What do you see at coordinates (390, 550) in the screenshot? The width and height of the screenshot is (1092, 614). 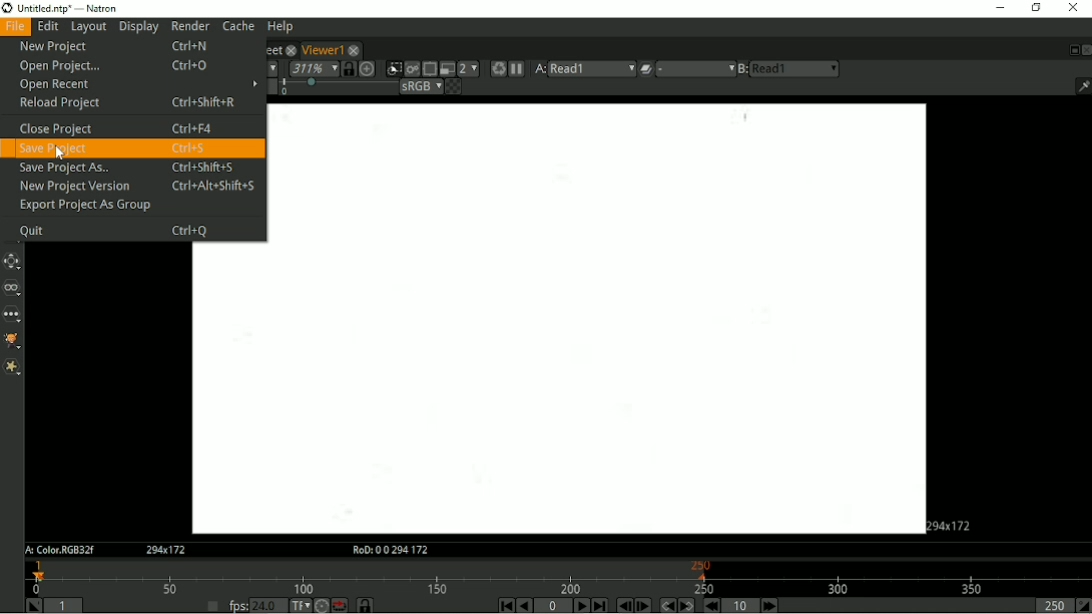 I see `RoD` at bounding box center [390, 550].